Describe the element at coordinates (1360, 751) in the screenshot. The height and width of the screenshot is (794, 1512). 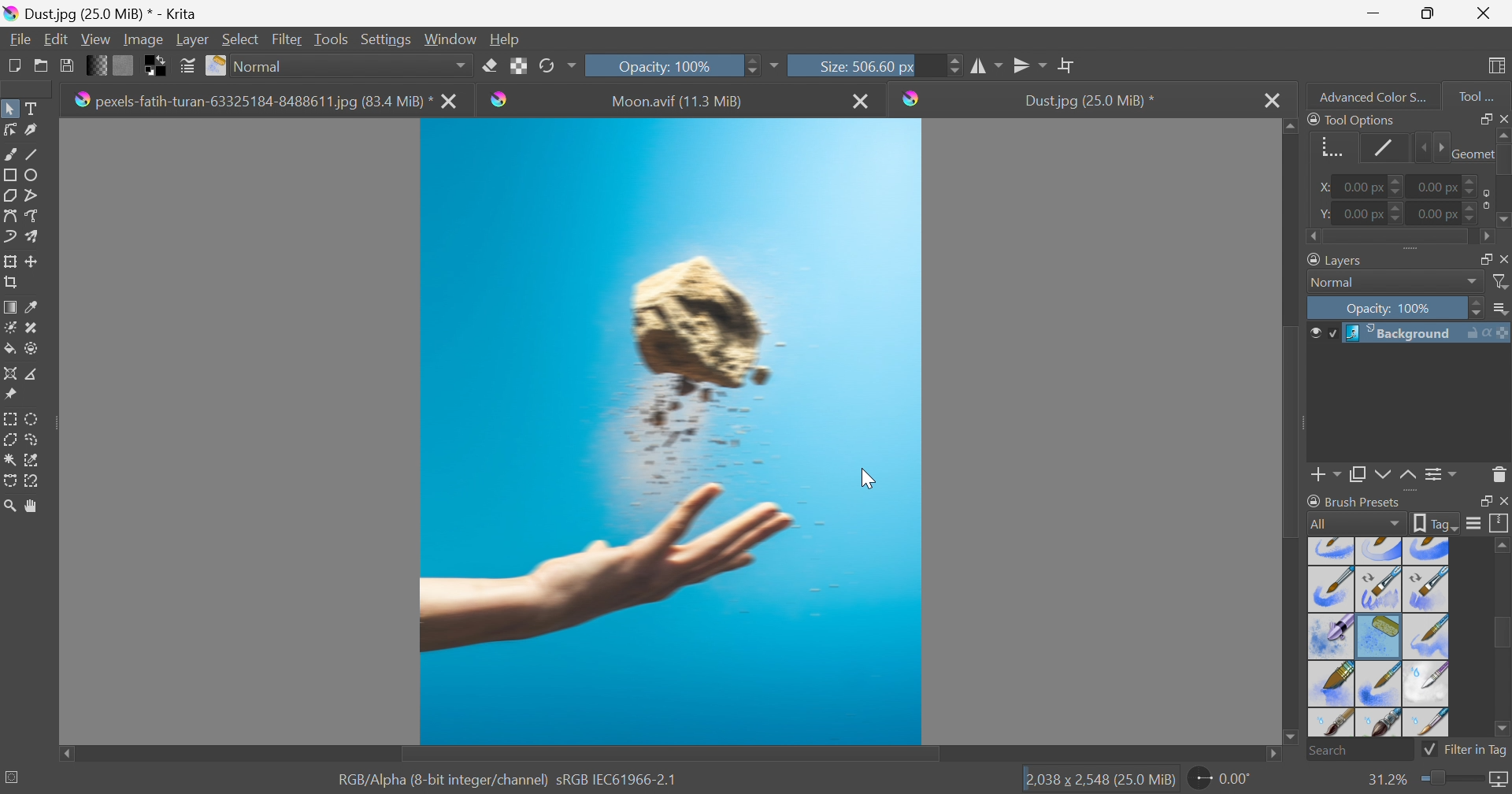
I see `Search` at that location.